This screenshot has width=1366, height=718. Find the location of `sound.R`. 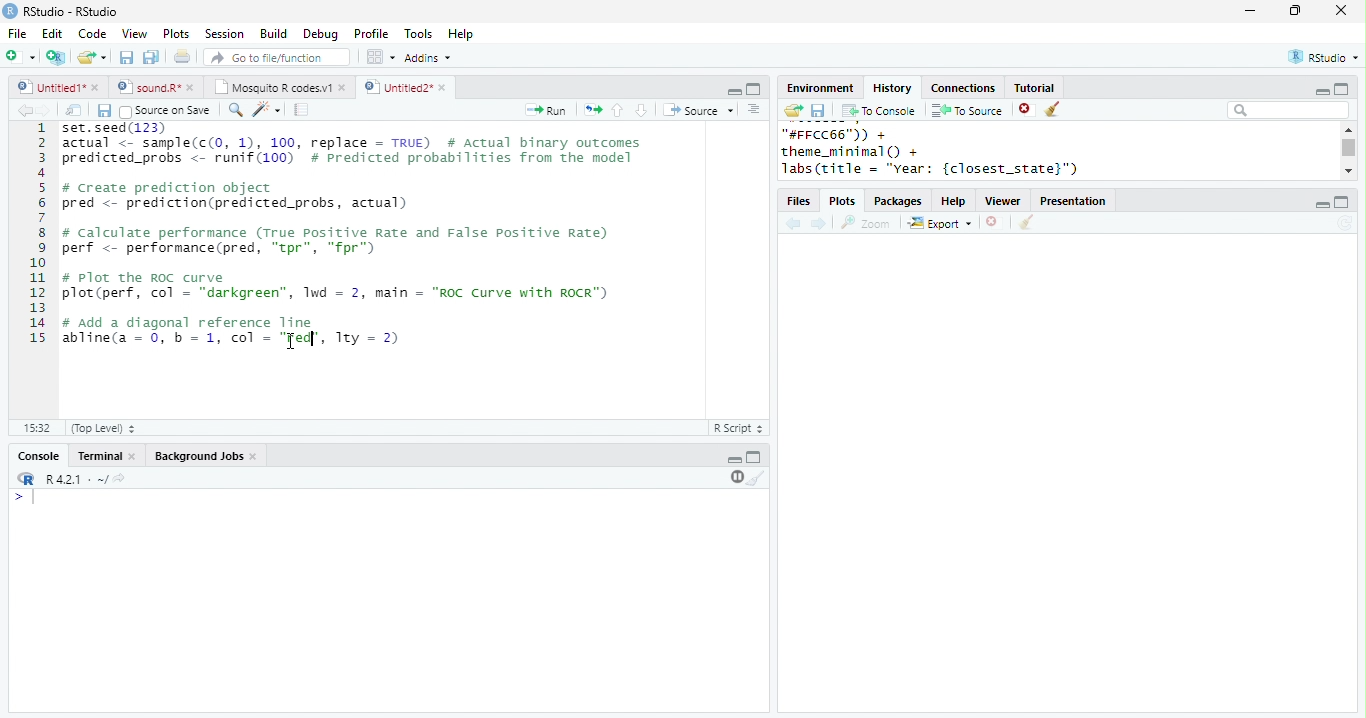

sound.R is located at coordinates (149, 87).